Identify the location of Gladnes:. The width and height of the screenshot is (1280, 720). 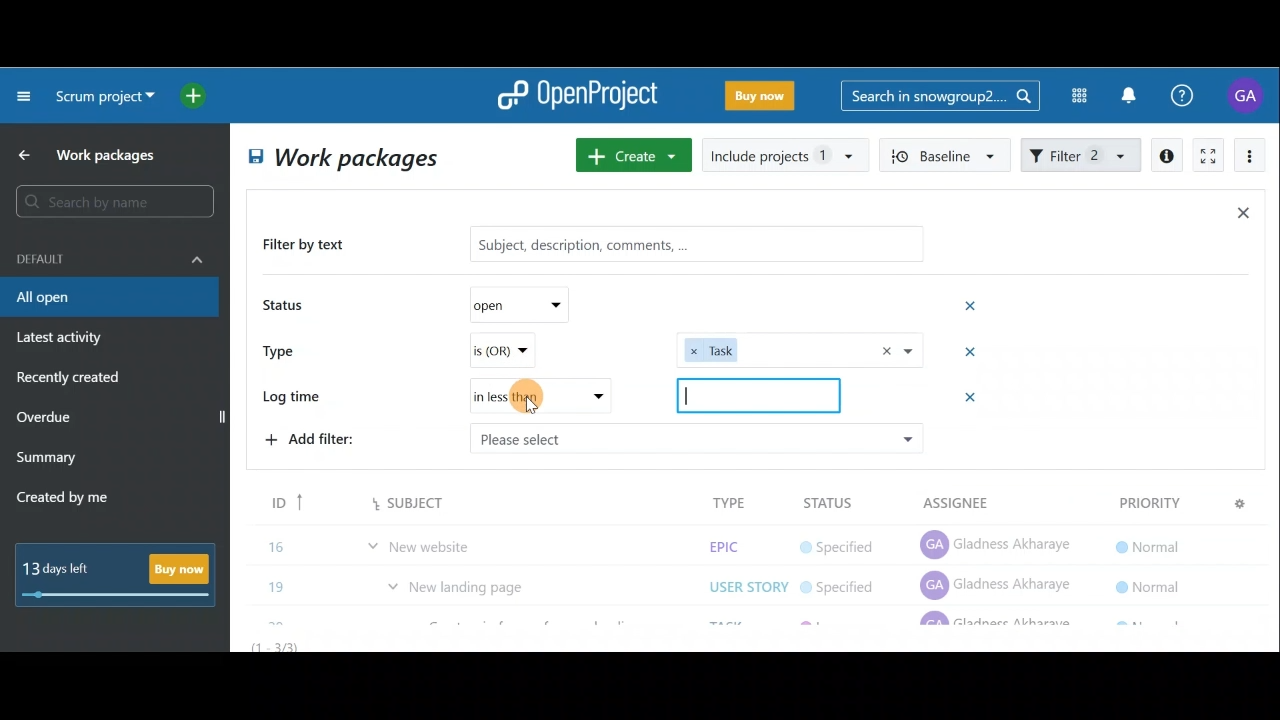
(848, 543).